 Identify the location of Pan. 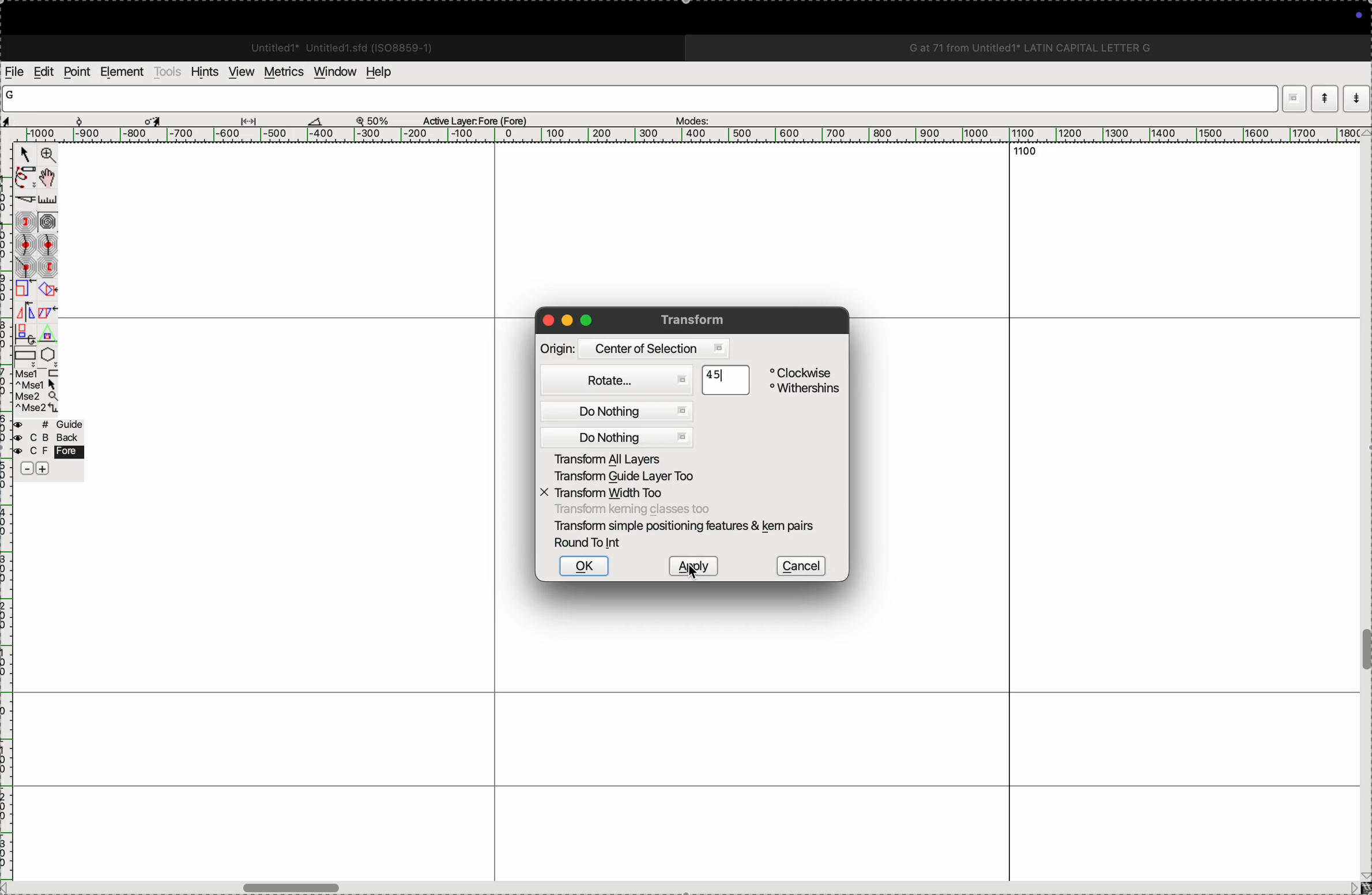
(47, 179).